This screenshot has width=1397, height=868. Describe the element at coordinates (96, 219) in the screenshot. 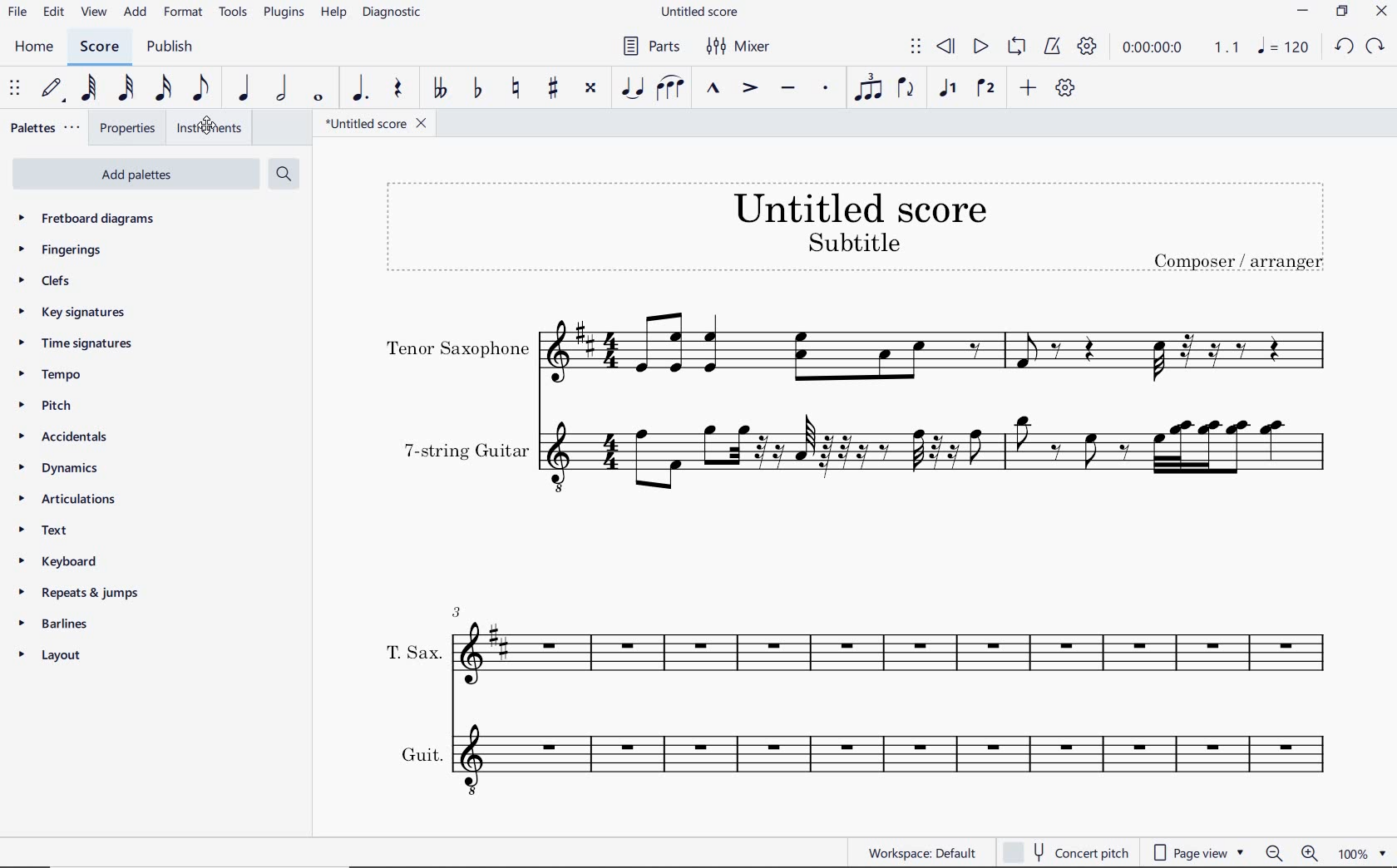

I see `FRETBOARD DIAGRAMS` at that location.